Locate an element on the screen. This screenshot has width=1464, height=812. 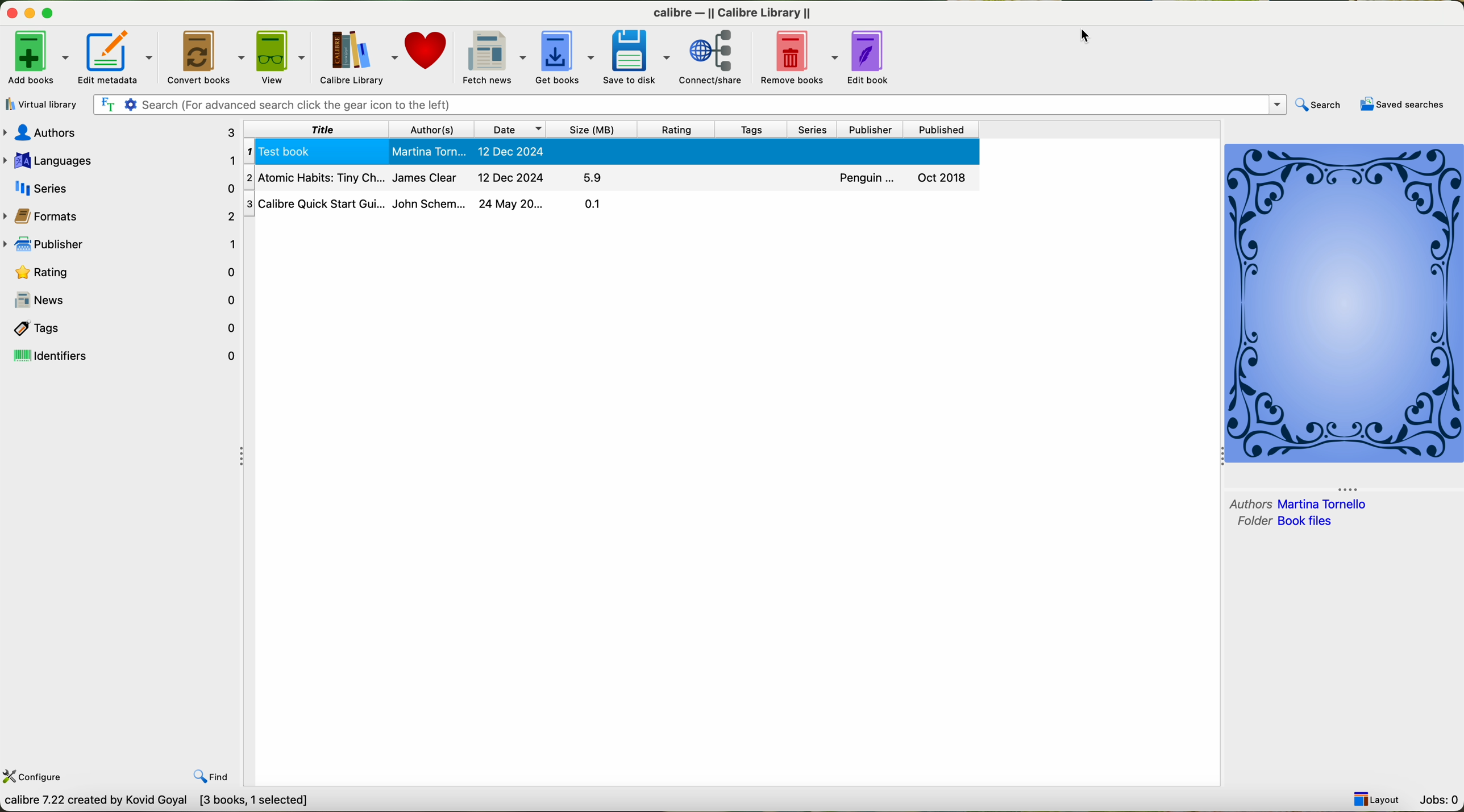
Calibre calibre library is located at coordinates (737, 11).